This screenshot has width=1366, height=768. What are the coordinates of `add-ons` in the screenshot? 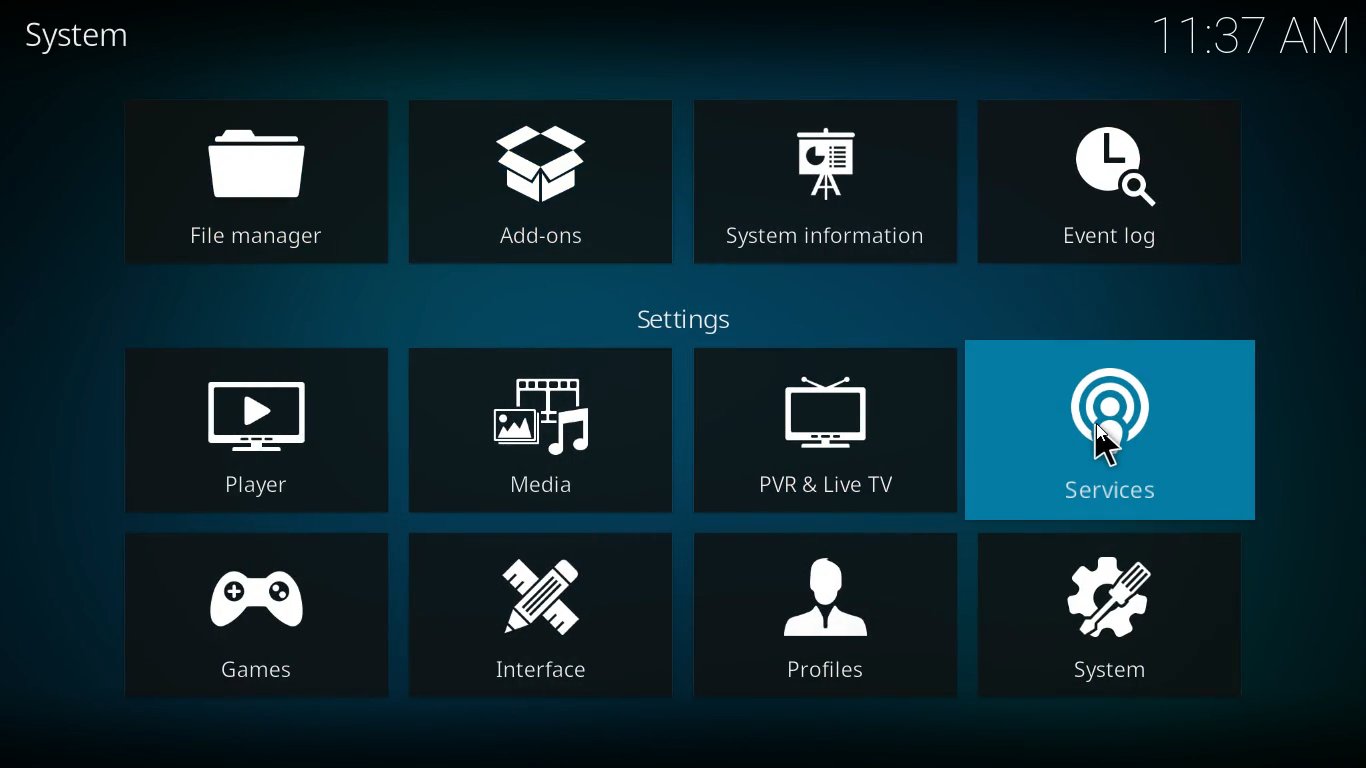 It's located at (544, 178).